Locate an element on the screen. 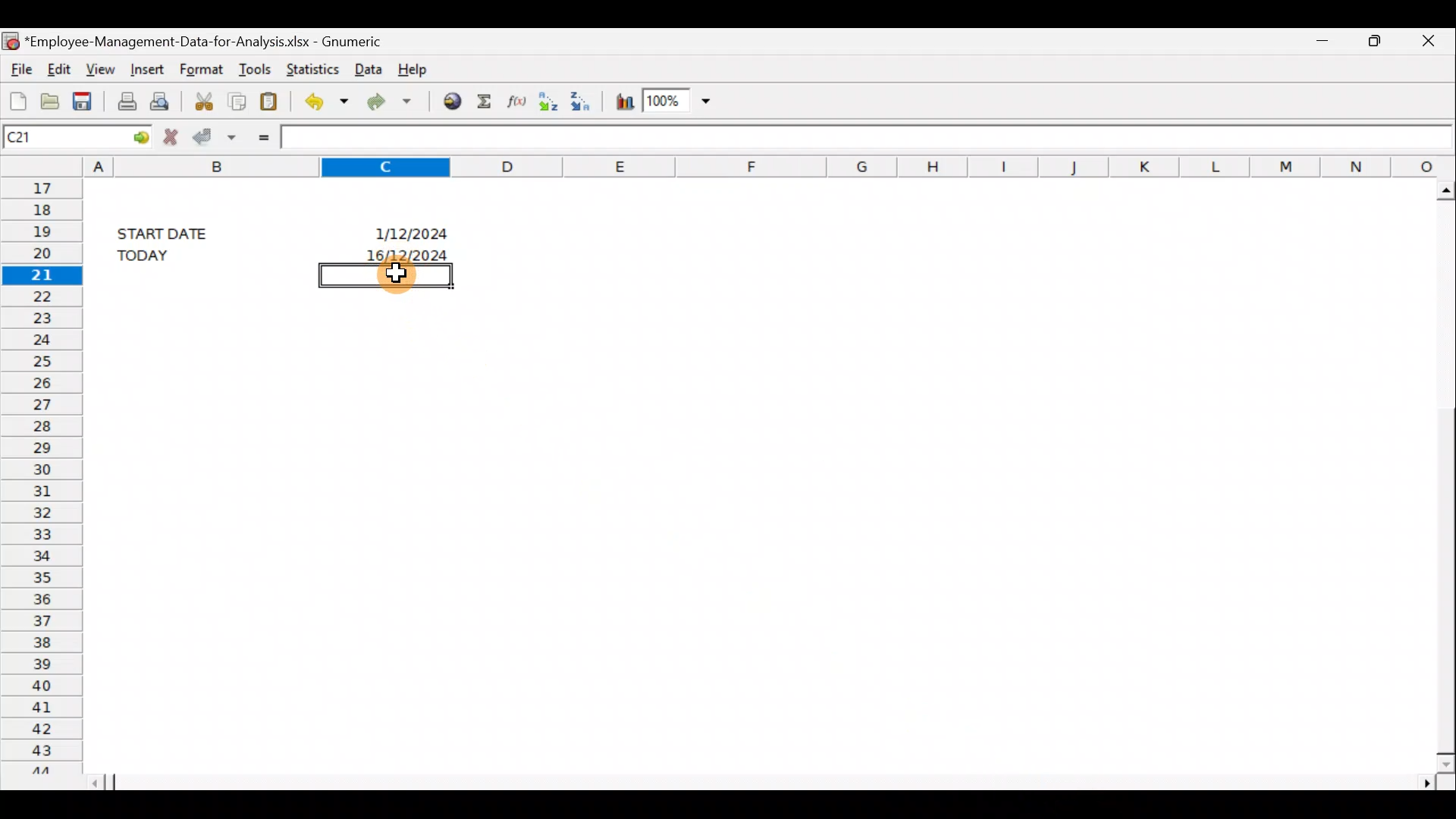  Scroll bar is located at coordinates (1439, 472).